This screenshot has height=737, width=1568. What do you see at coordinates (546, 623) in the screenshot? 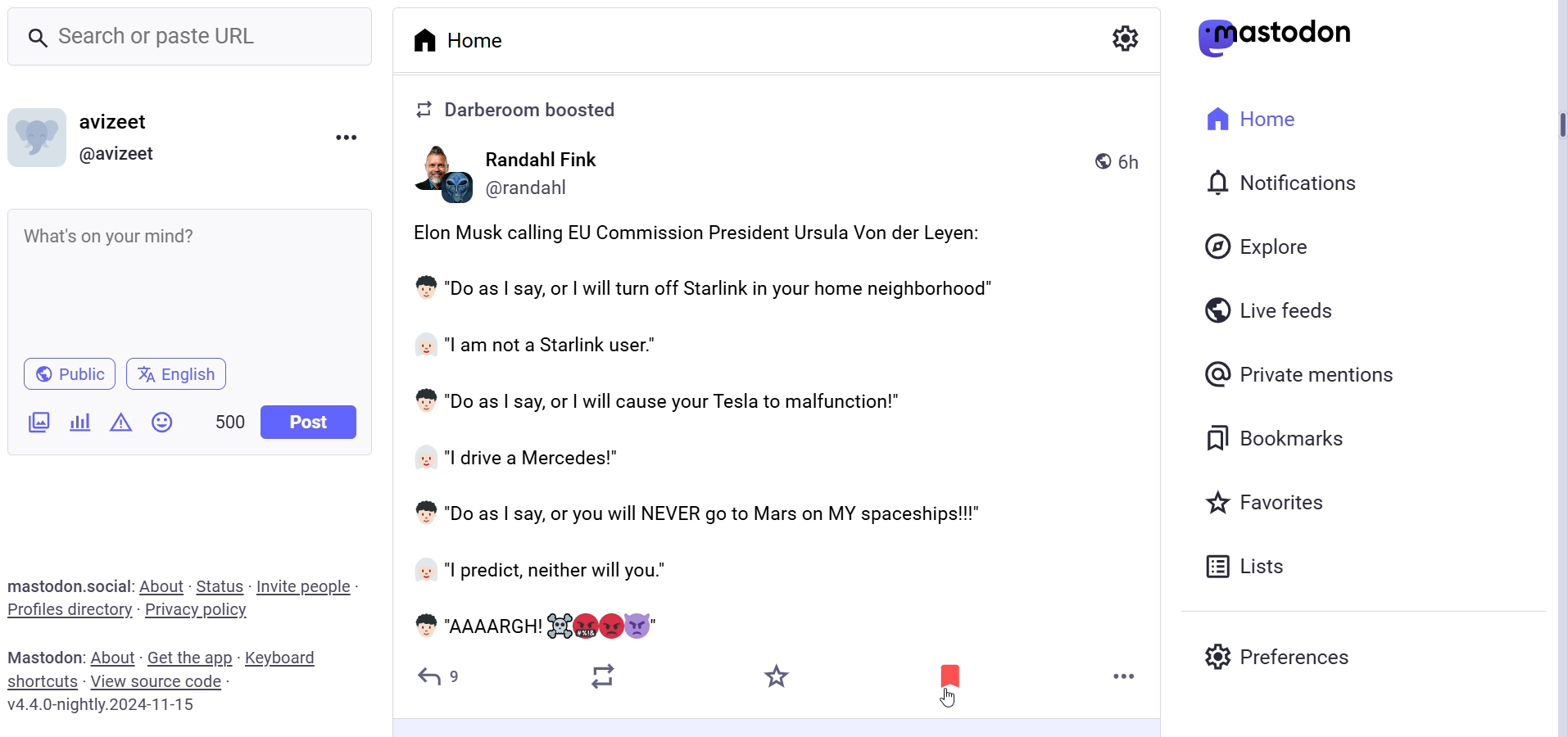
I see `AAAARGH! SE @NV@E` at bounding box center [546, 623].